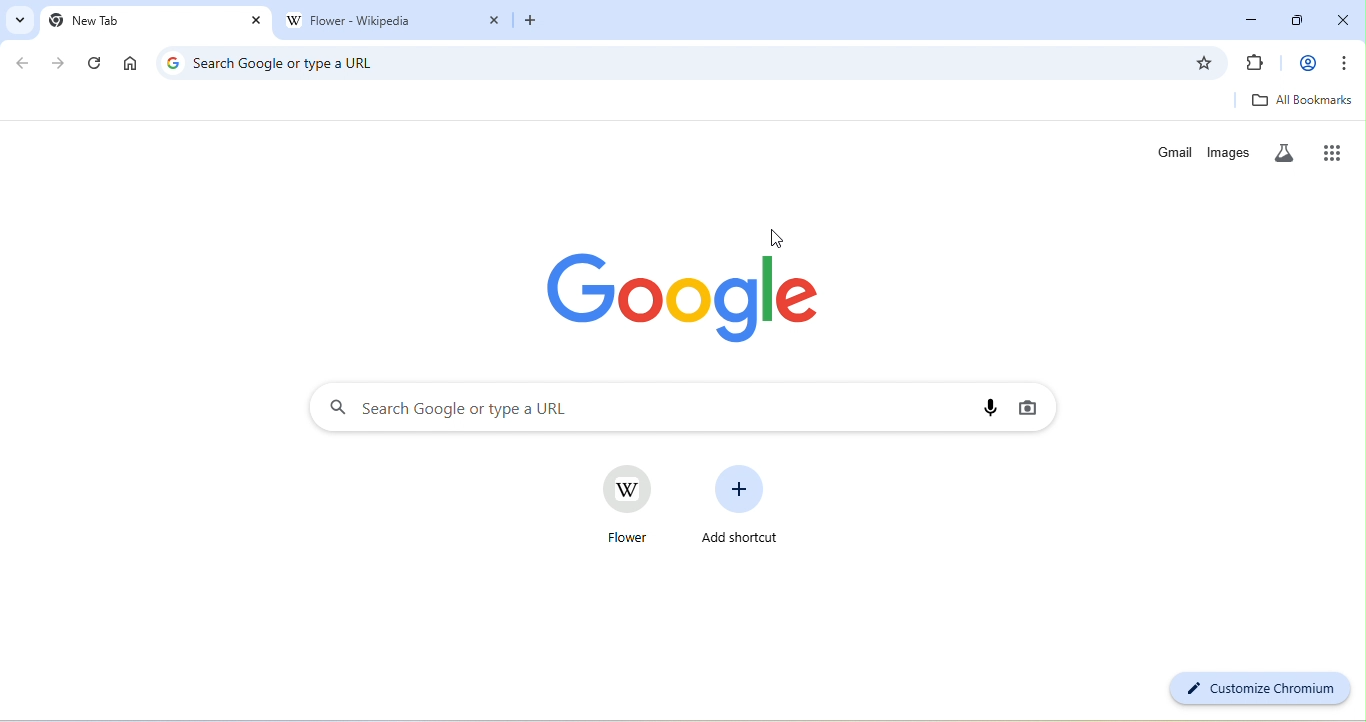 The height and width of the screenshot is (722, 1366). What do you see at coordinates (17, 19) in the screenshot?
I see `search tab` at bounding box center [17, 19].